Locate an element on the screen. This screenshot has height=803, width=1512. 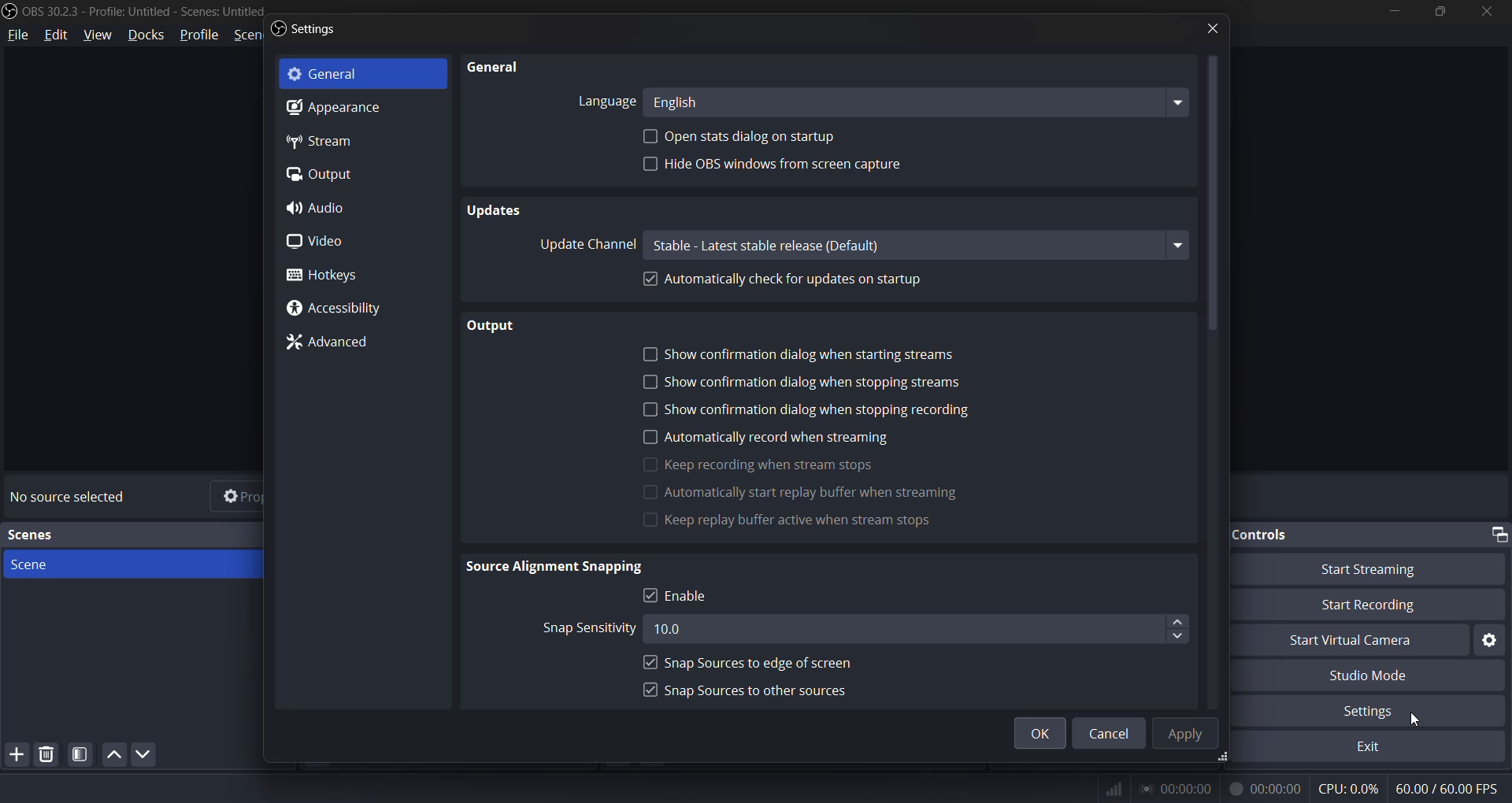
checkbox is located at coordinates (652, 135).